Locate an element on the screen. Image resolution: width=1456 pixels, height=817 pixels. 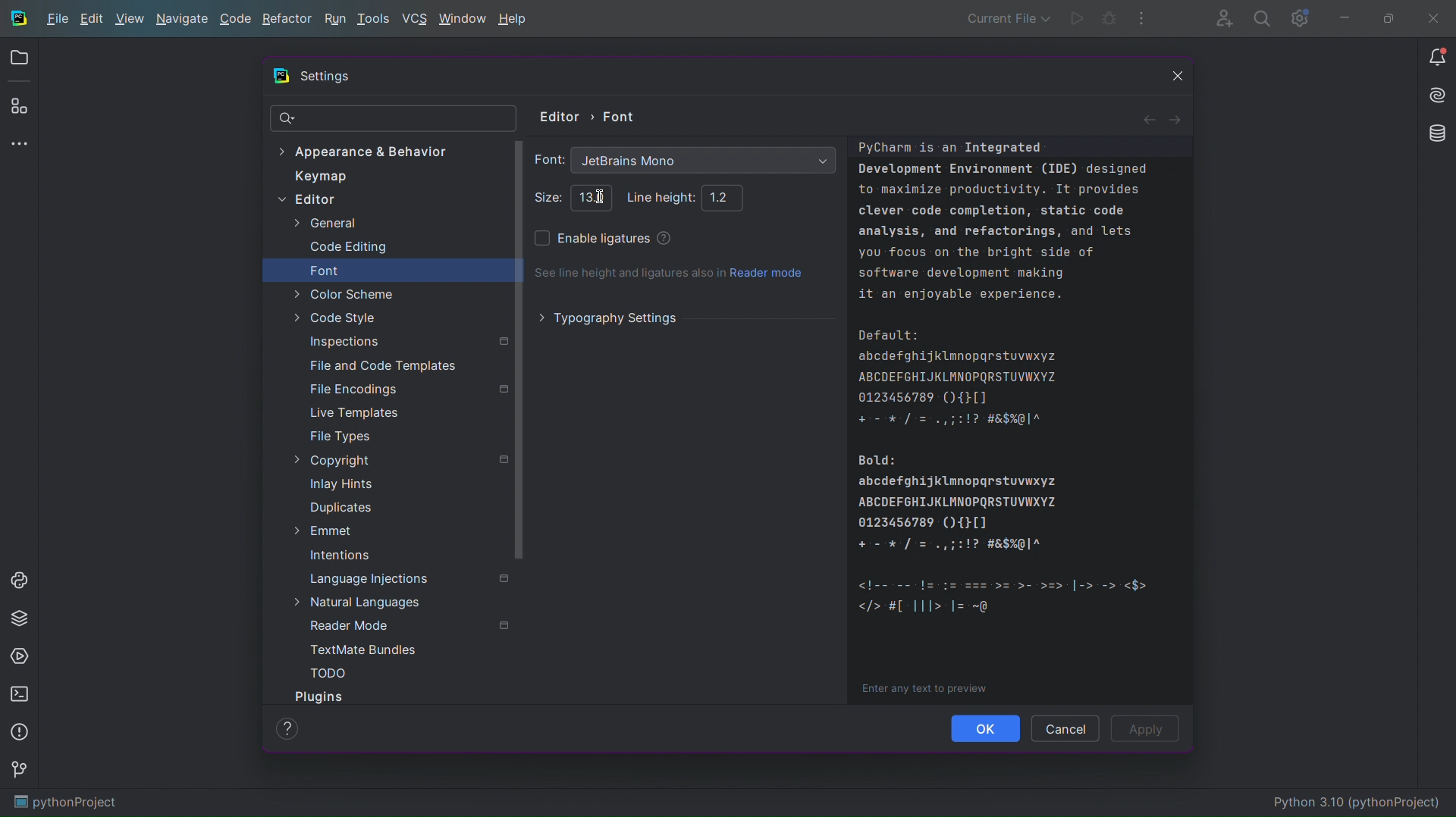
Line height: 1.2 is located at coordinates (725, 199).